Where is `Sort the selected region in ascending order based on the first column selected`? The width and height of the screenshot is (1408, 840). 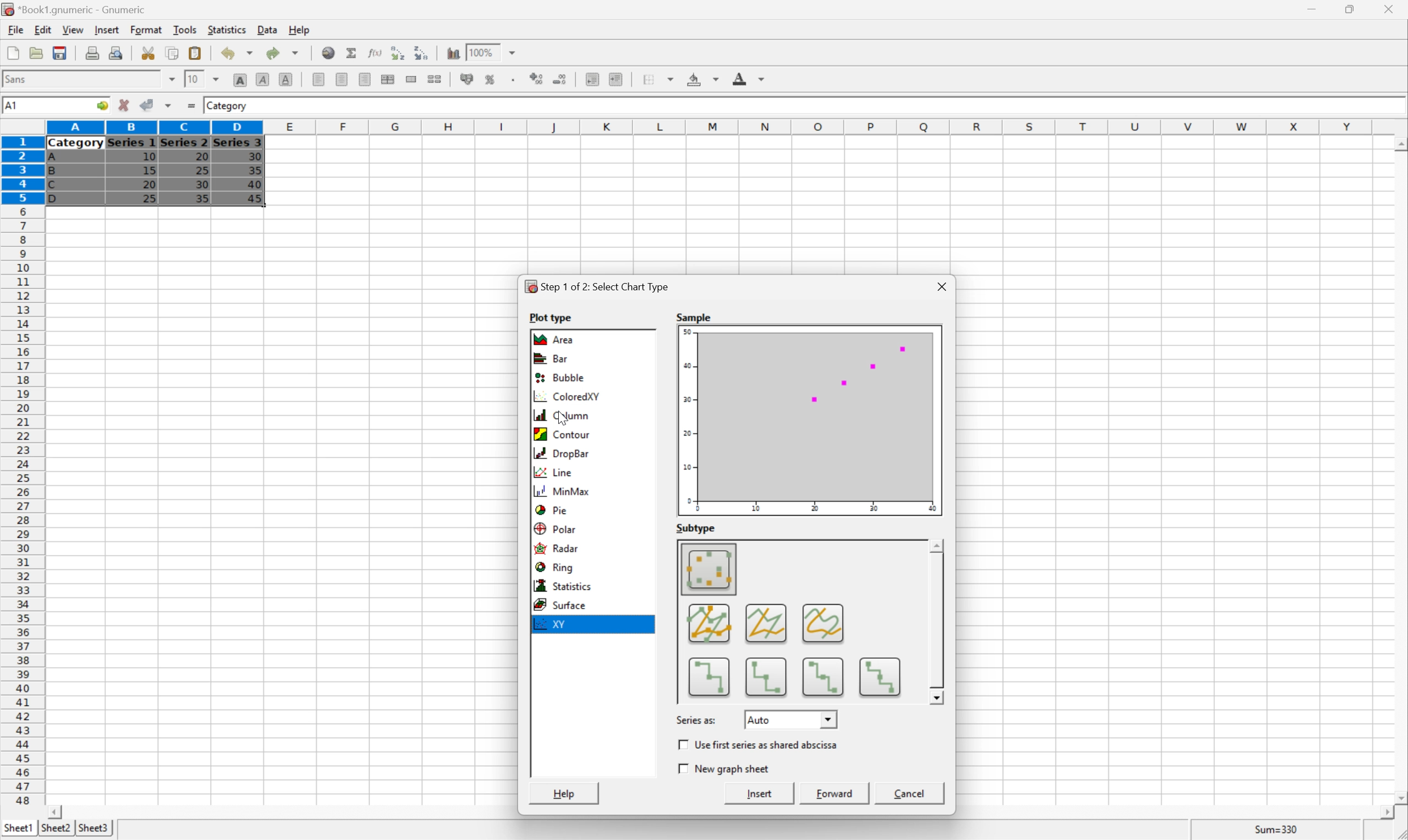 Sort the selected region in ascending order based on the first column selected is located at coordinates (397, 53).